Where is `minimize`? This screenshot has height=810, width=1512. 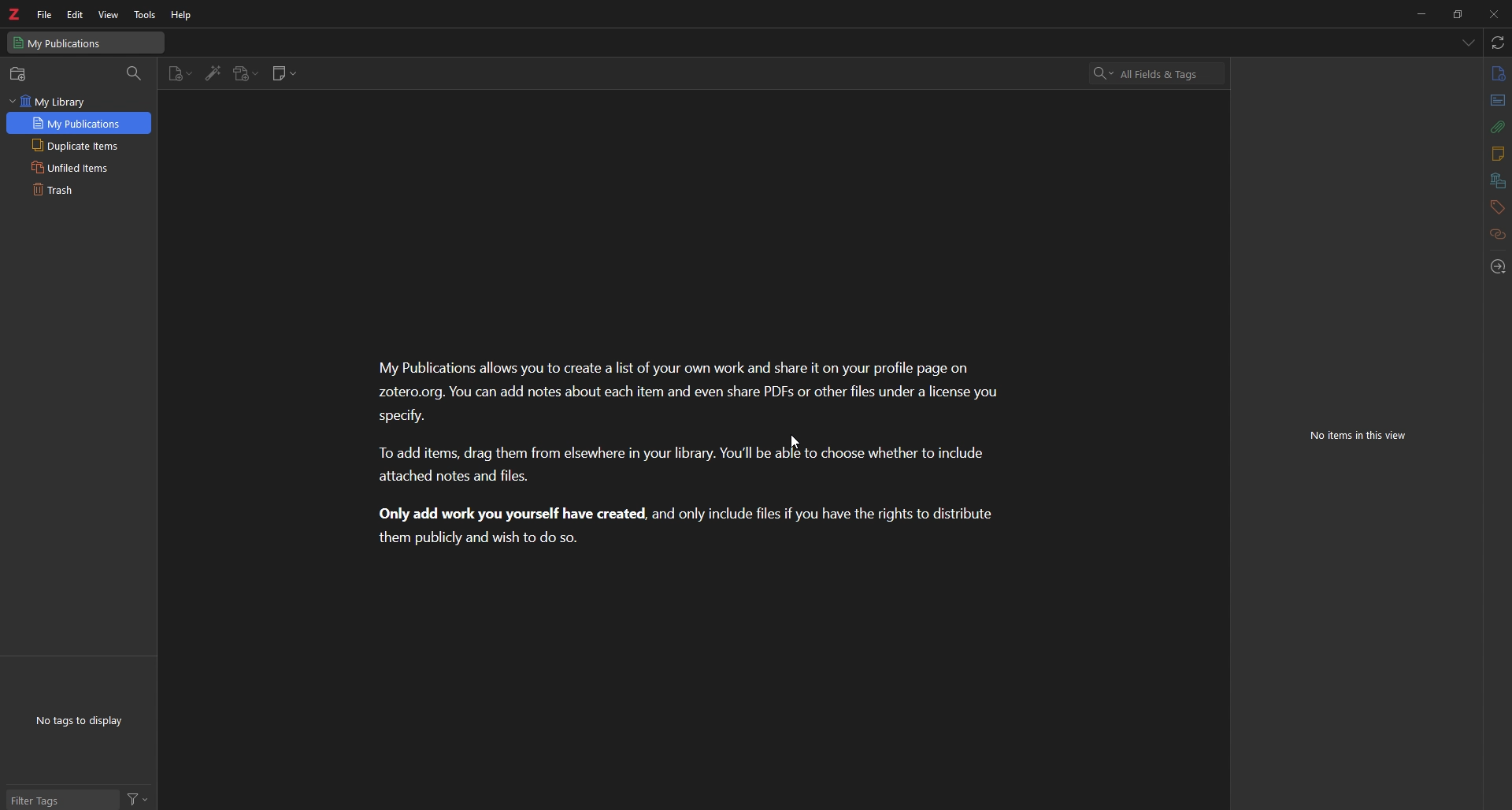
minimize is located at coordinates (1425, 13).